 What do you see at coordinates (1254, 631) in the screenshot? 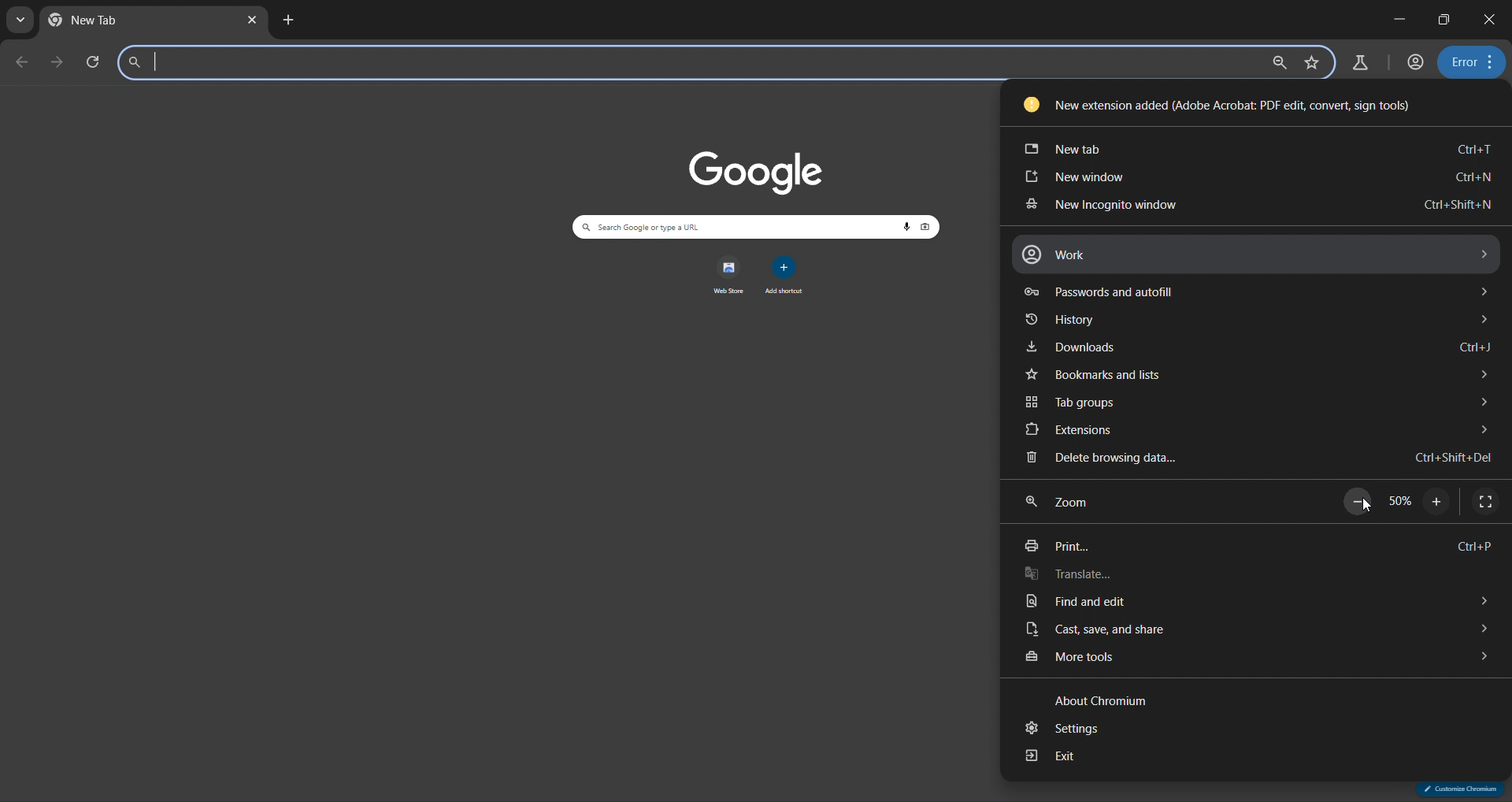
I see `cast, save and share` at bounding box center [1254, 631].